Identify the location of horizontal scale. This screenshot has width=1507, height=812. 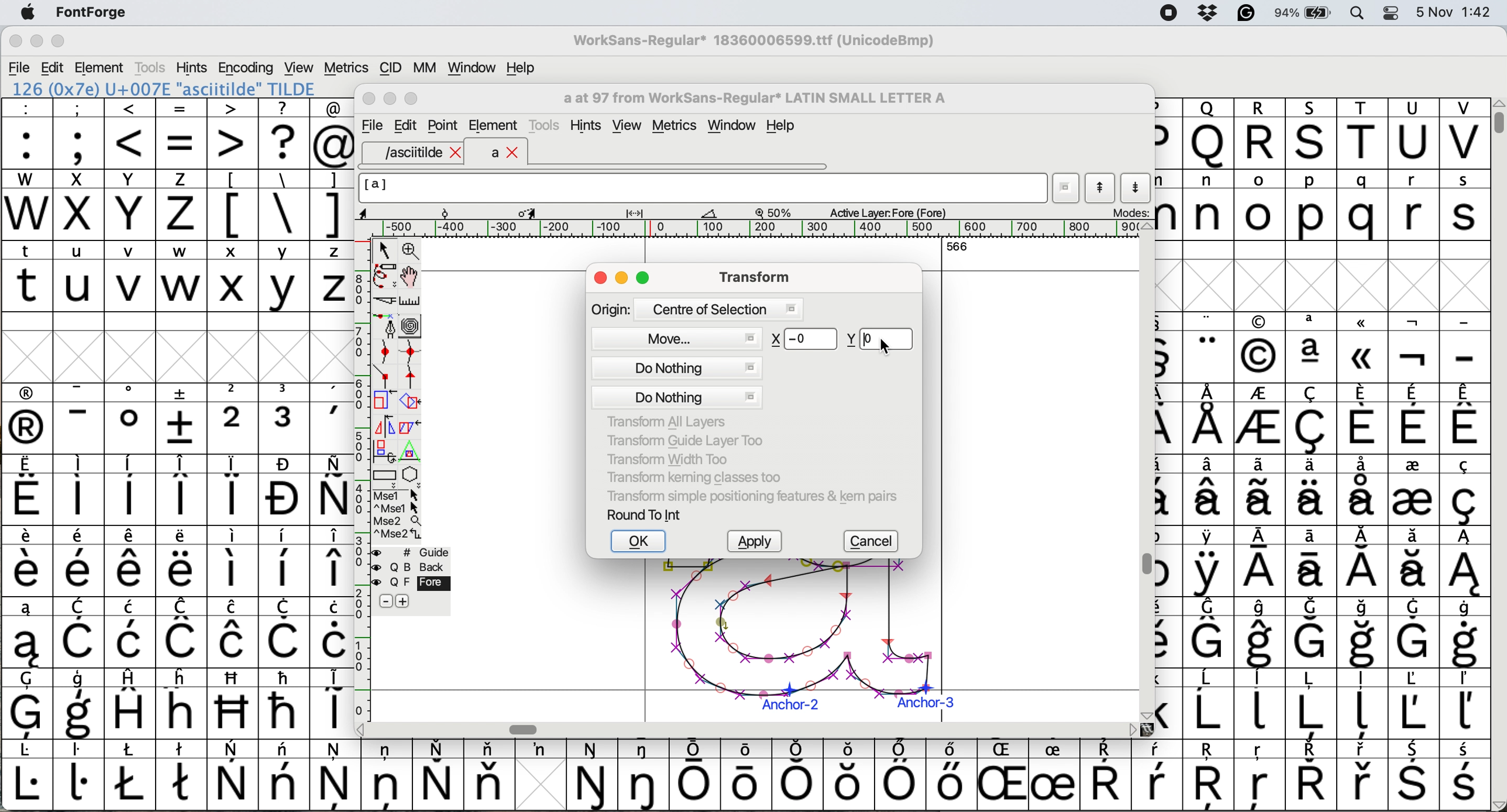
(761, 229).